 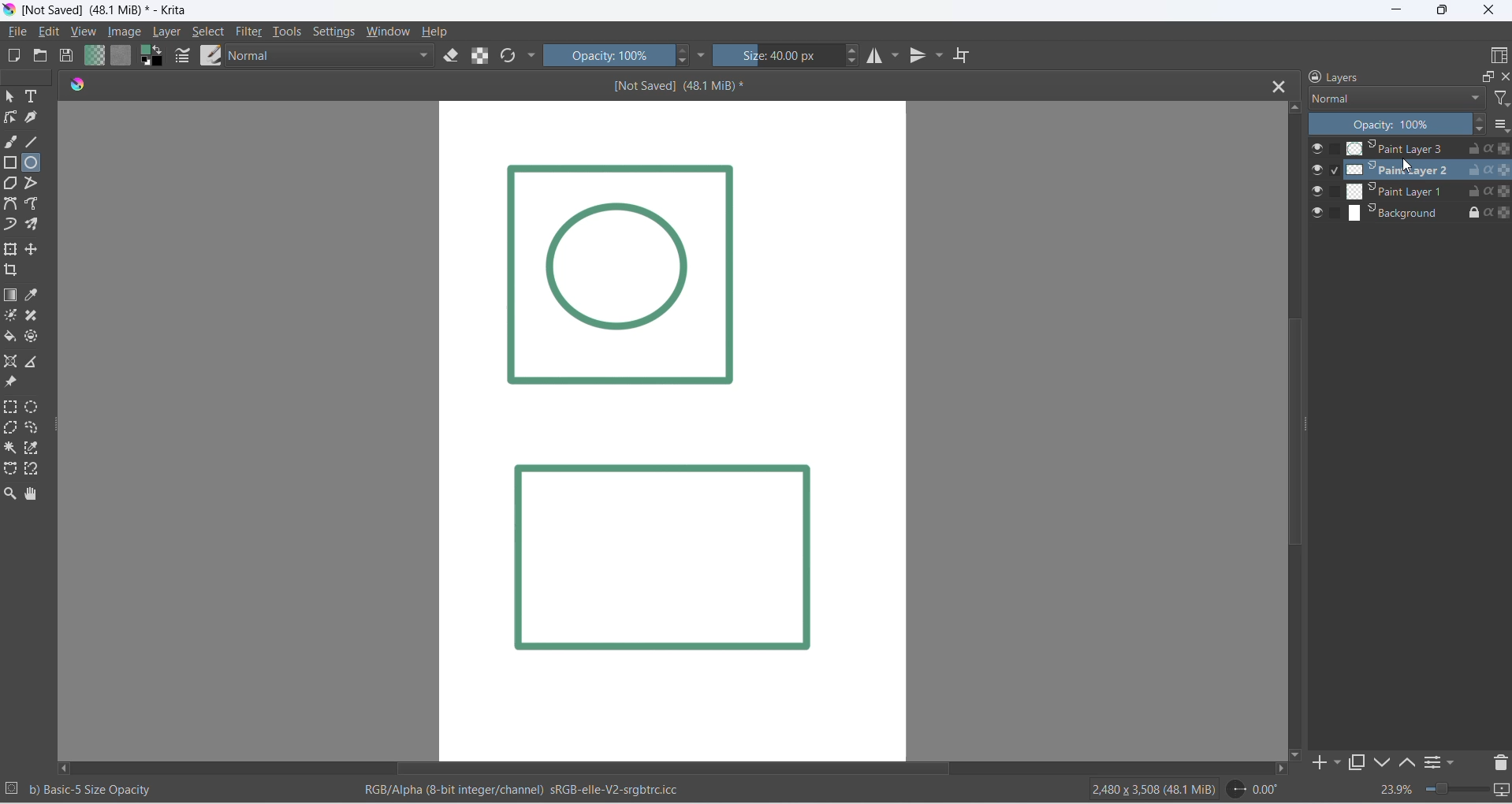 What do you see at coordinates (1498, 211) in the screenshot?
I see `preserve alpha` at bounding box center [1498, 211].